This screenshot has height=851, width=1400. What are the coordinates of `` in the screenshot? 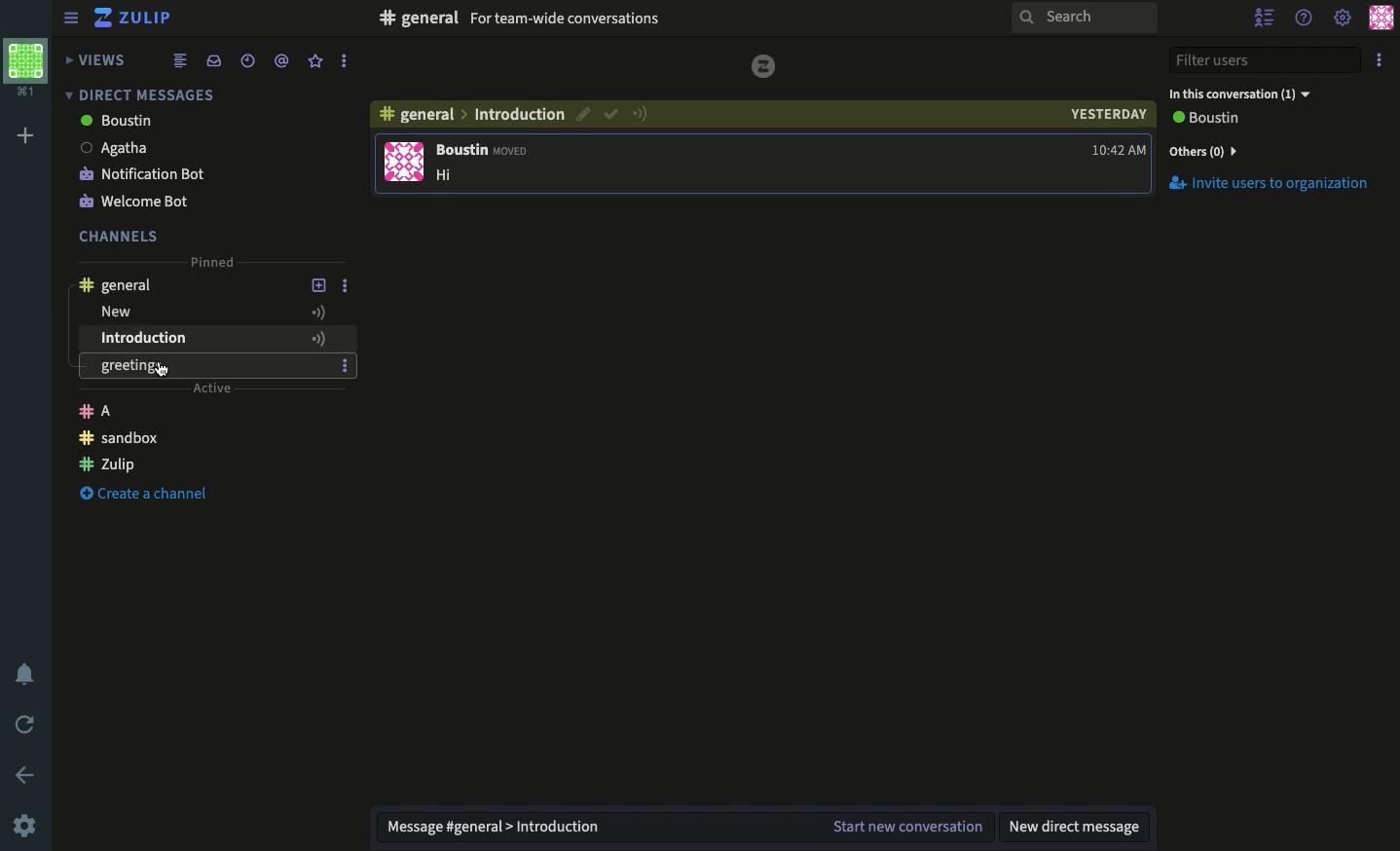 It's located at (518, 114).